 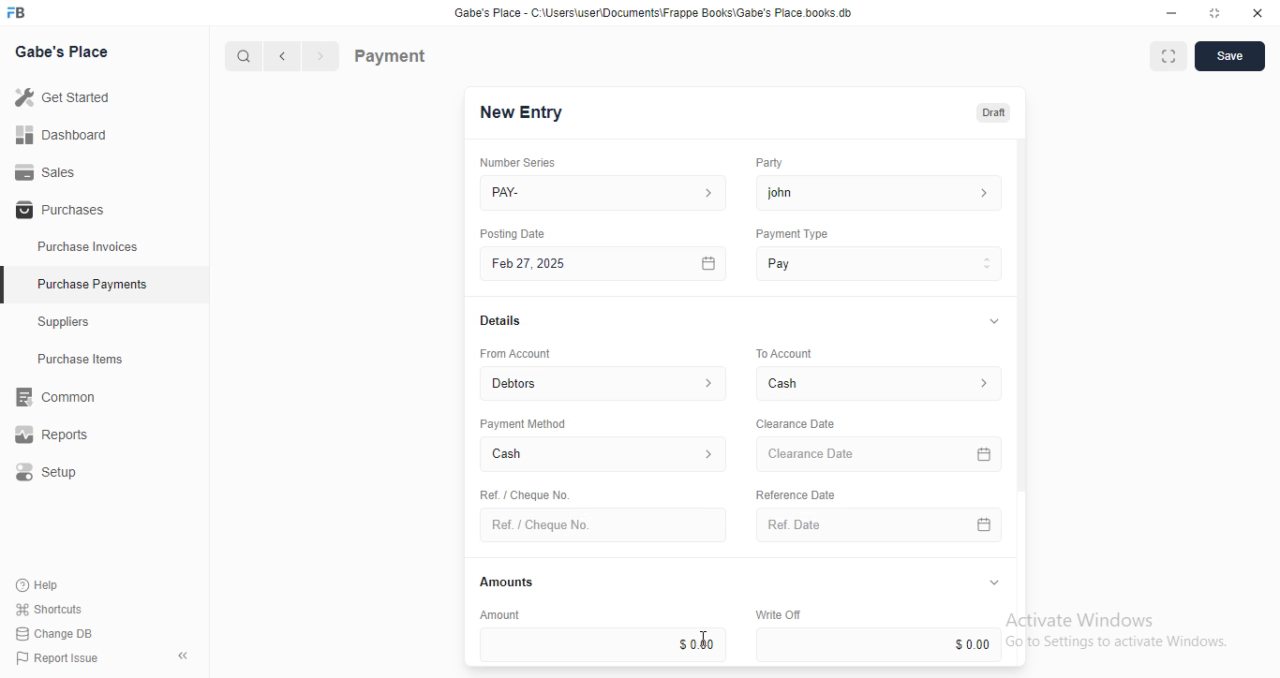 I want to click on Change DB, so click(x=52, y=632).